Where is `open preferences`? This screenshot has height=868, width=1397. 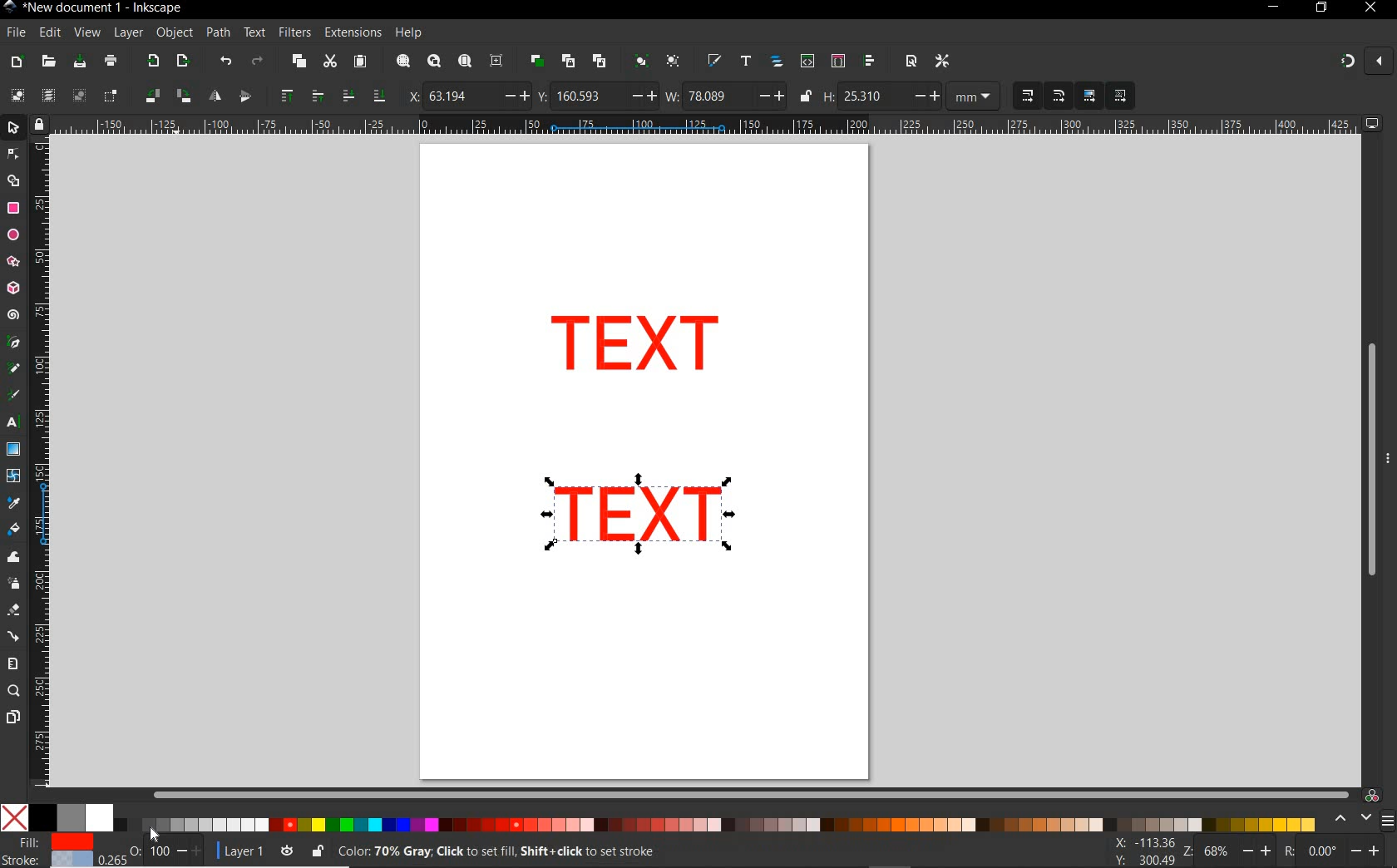 open preferences is located at coordinates (943, 60).